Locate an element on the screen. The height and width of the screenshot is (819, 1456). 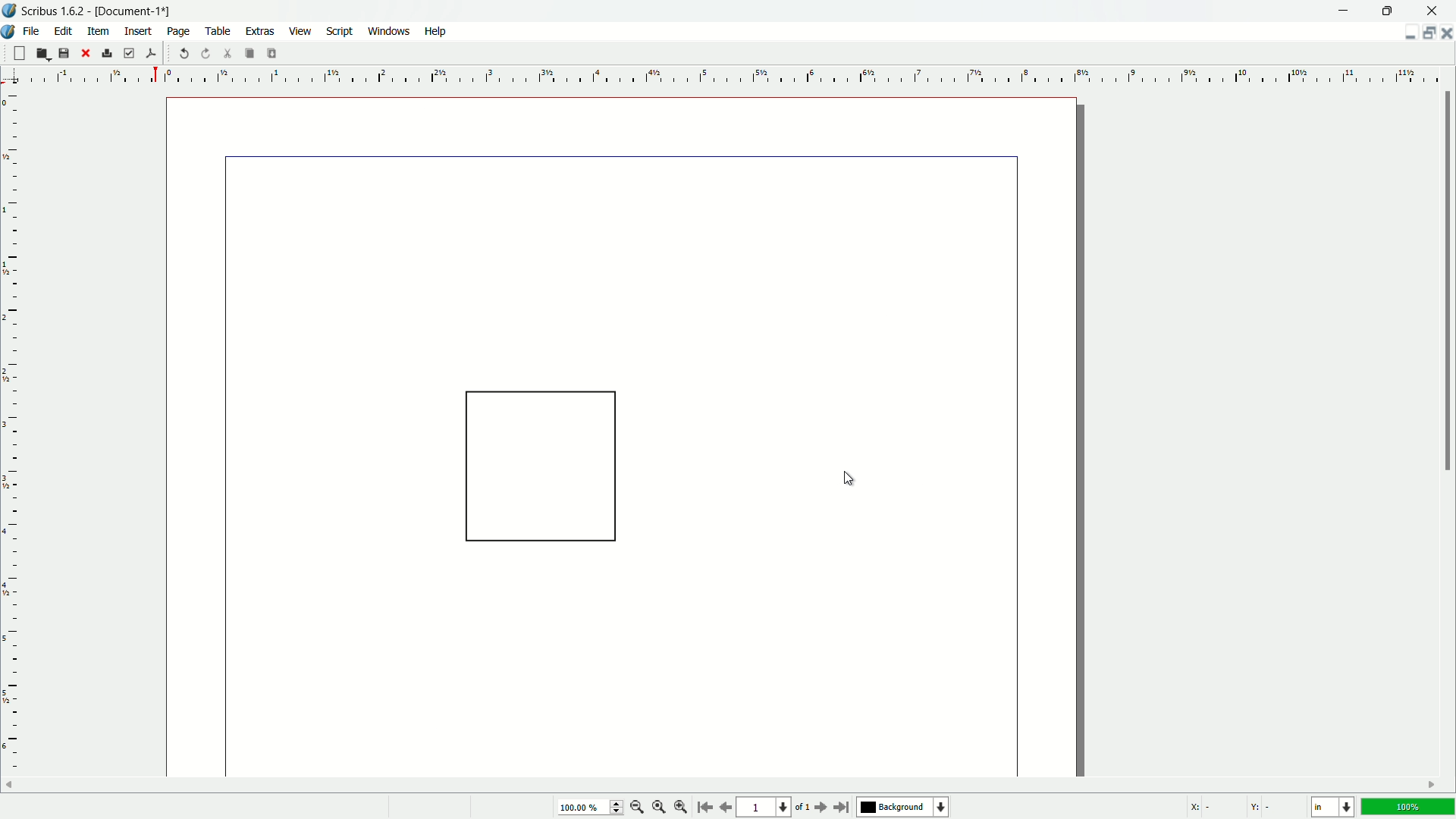
scroll bar is located at coordinates (1446, 281).